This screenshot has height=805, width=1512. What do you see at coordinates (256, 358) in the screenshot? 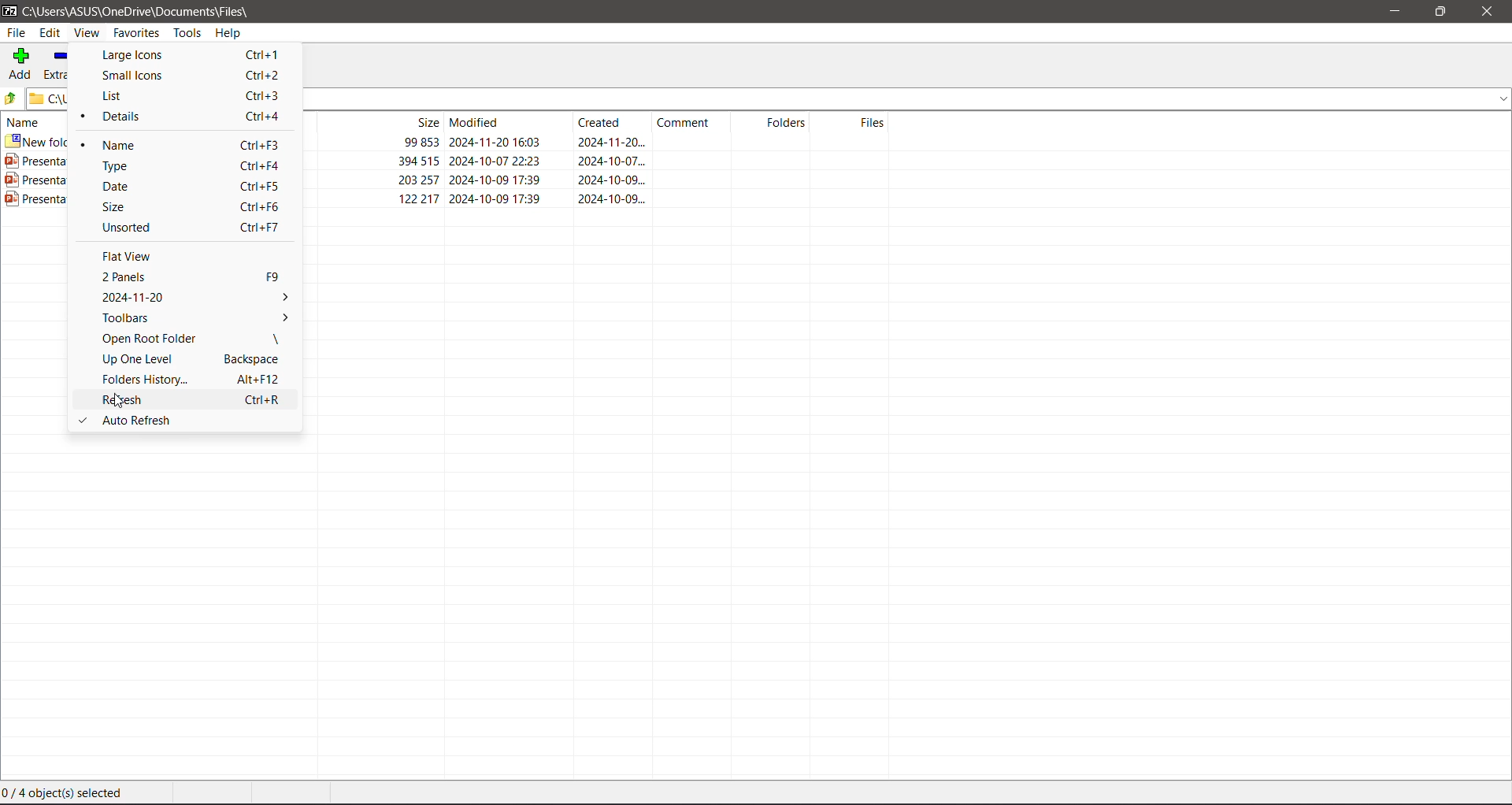
I see `Backspace` at bounding box center [256, 358].